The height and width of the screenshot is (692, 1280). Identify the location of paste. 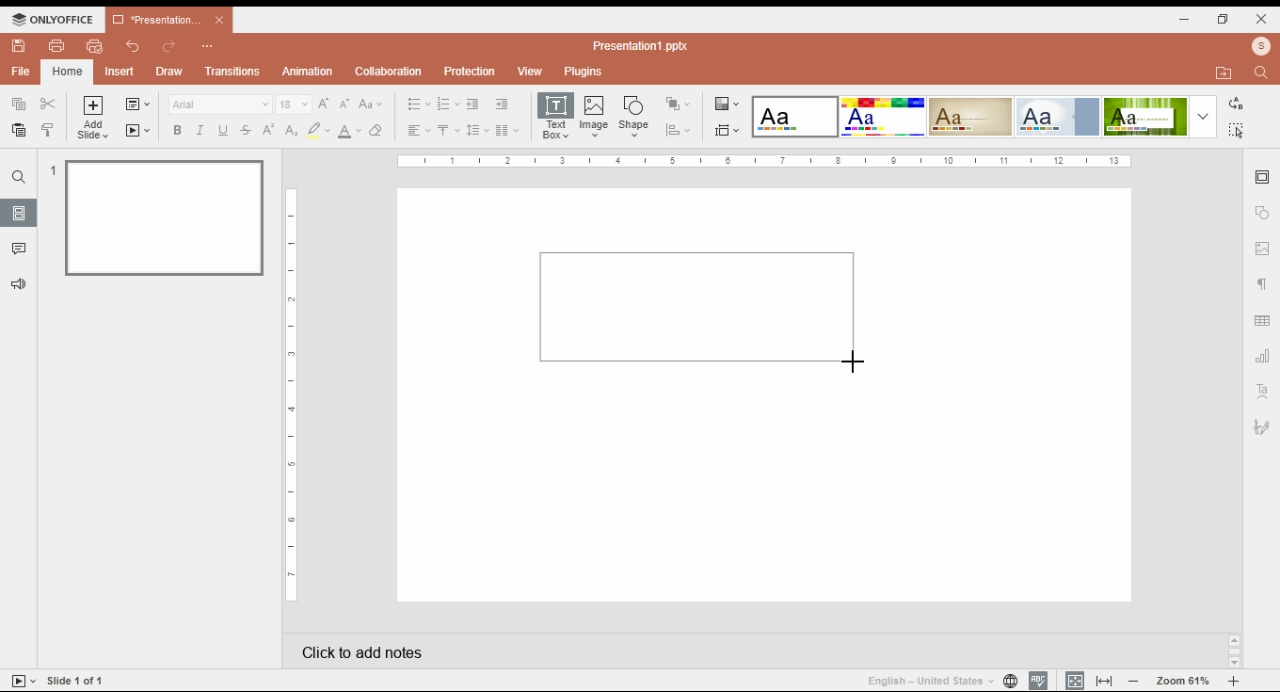
(20, 129).